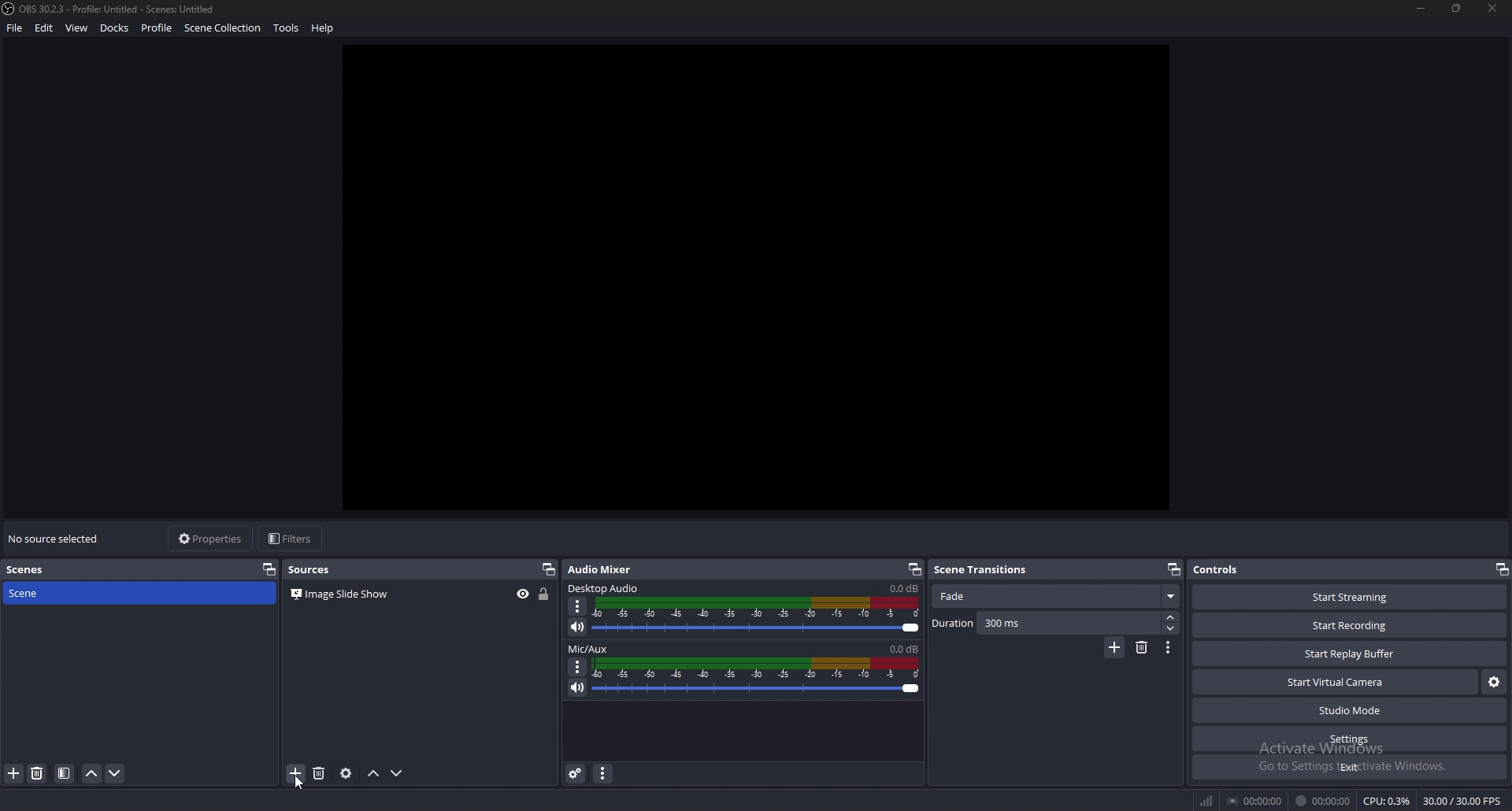 Image resolution: width=1512 pixels, height=811 pixels. Describe the element at coordinates (13, 774) in the screenshot. I see `add source` at that location.